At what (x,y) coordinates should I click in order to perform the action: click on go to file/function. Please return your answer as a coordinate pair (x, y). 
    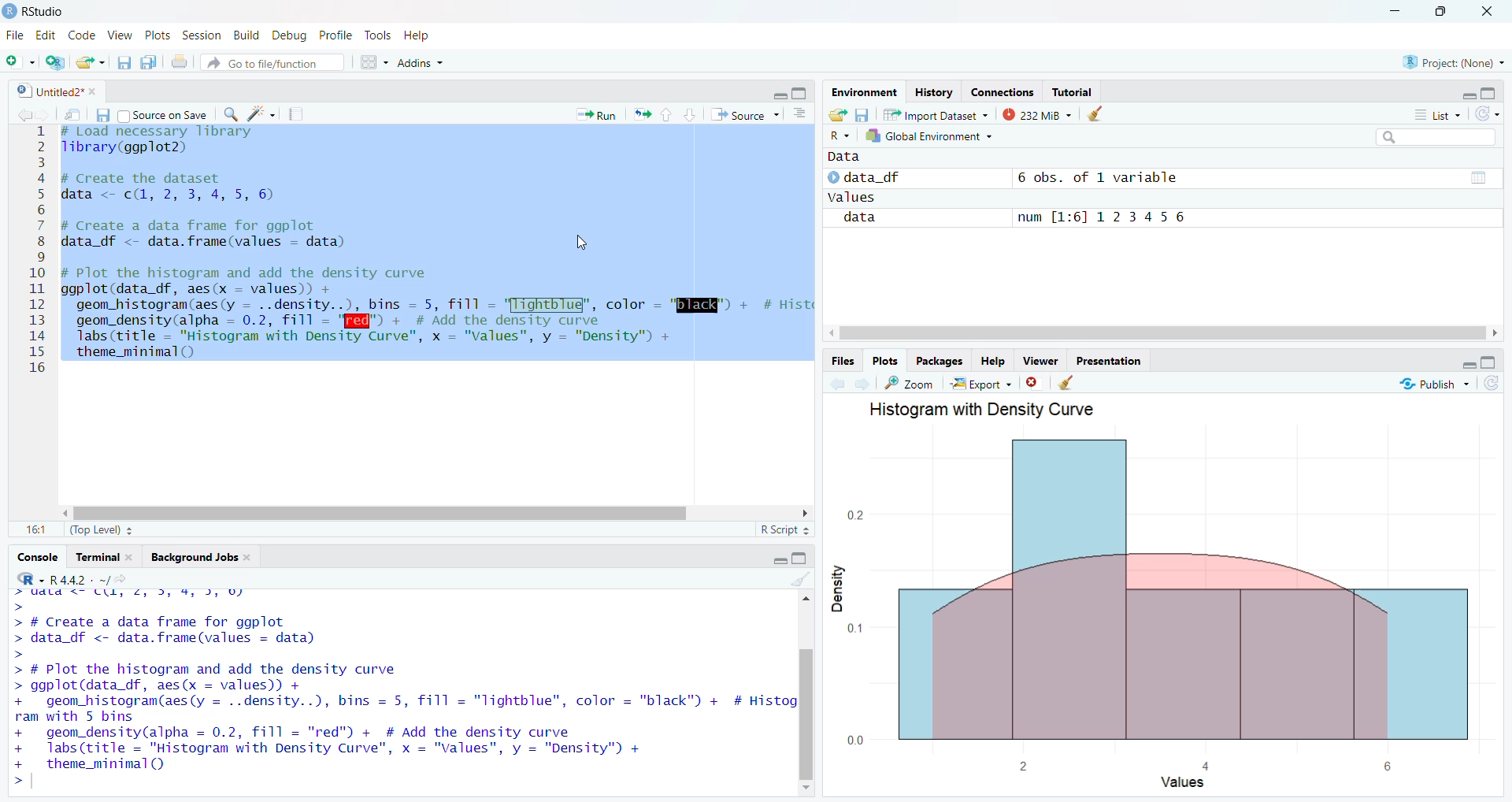
    Looking at the image, I should click on (273, 64).